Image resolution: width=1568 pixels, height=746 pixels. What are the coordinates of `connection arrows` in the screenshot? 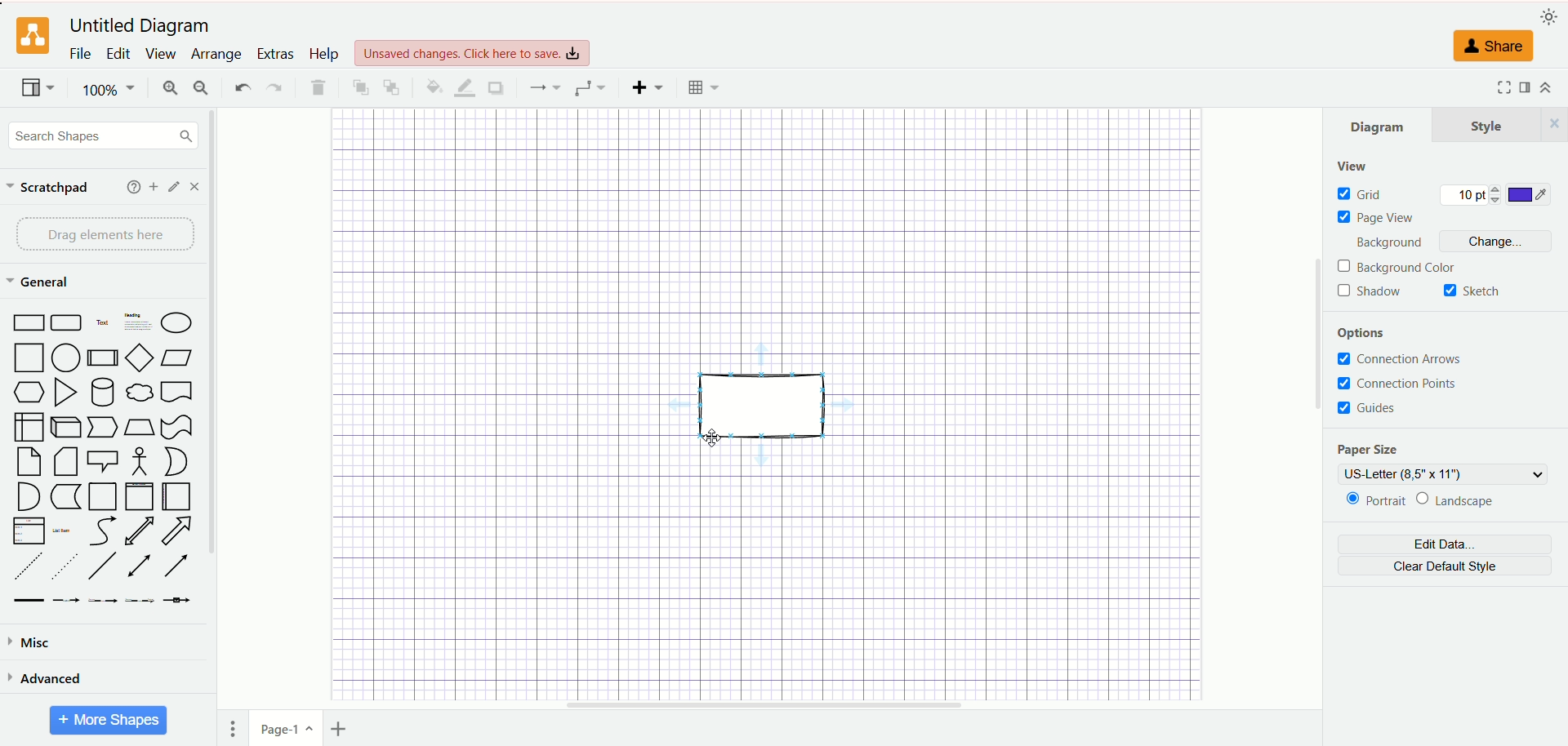 It's located at (1400, 357).